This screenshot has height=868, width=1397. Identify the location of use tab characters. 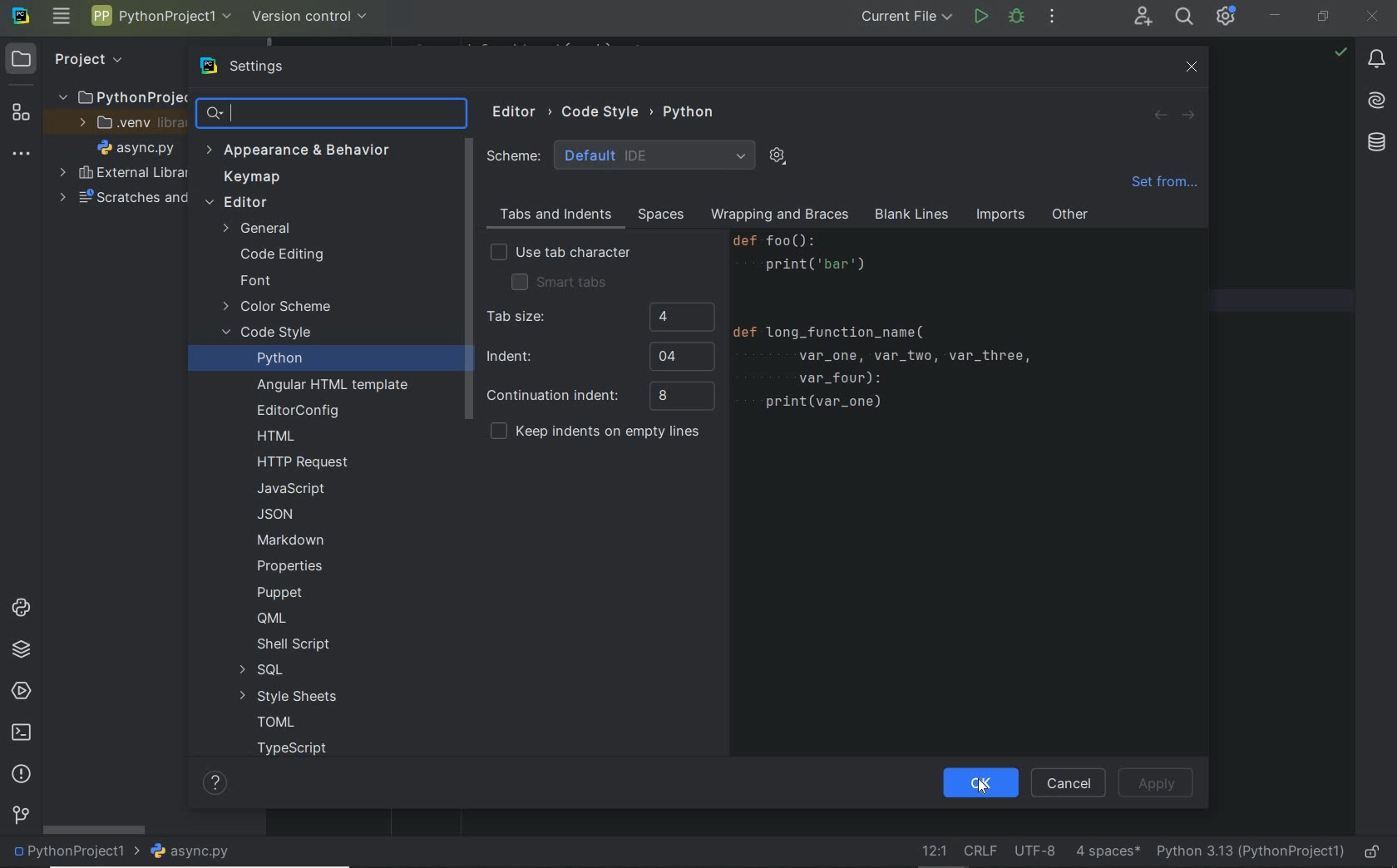
(560, 254).